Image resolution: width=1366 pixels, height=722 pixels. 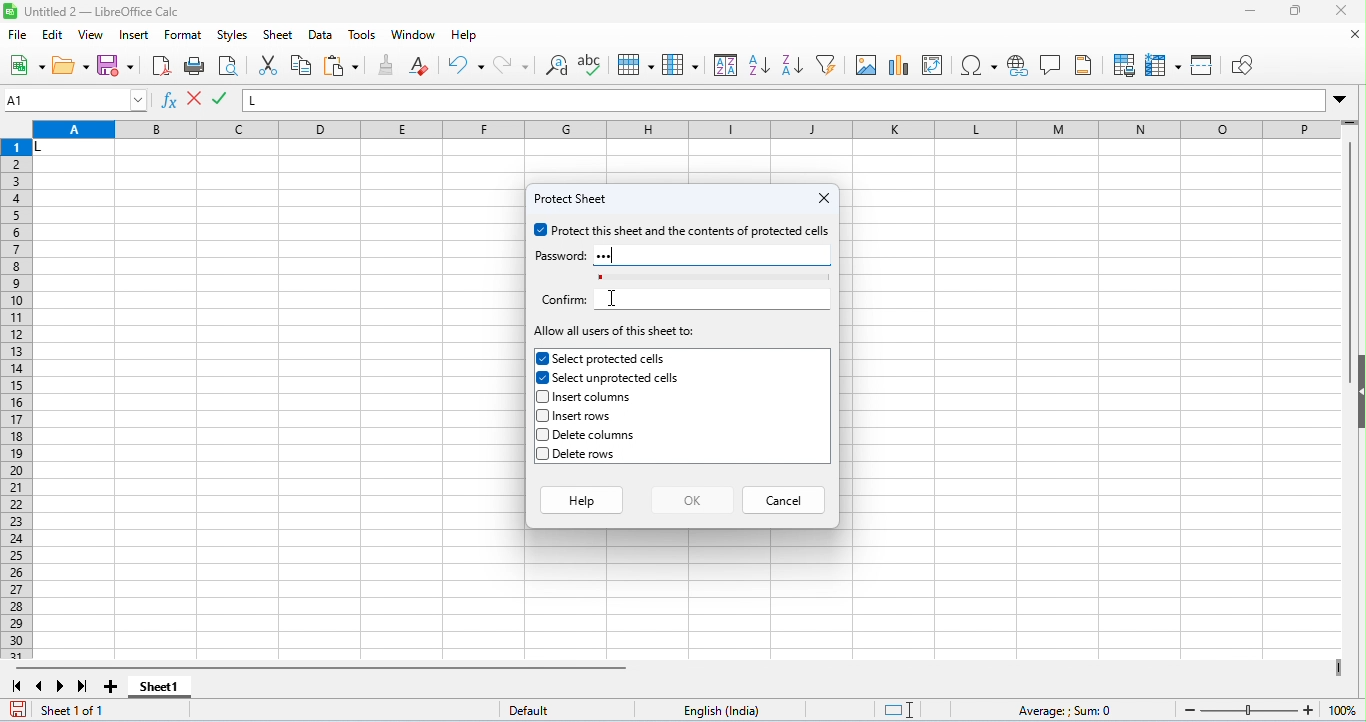 What do you see at coordinates (227, 67) in the screenshot?
I see `print preview` at bounding box center [227, 67].